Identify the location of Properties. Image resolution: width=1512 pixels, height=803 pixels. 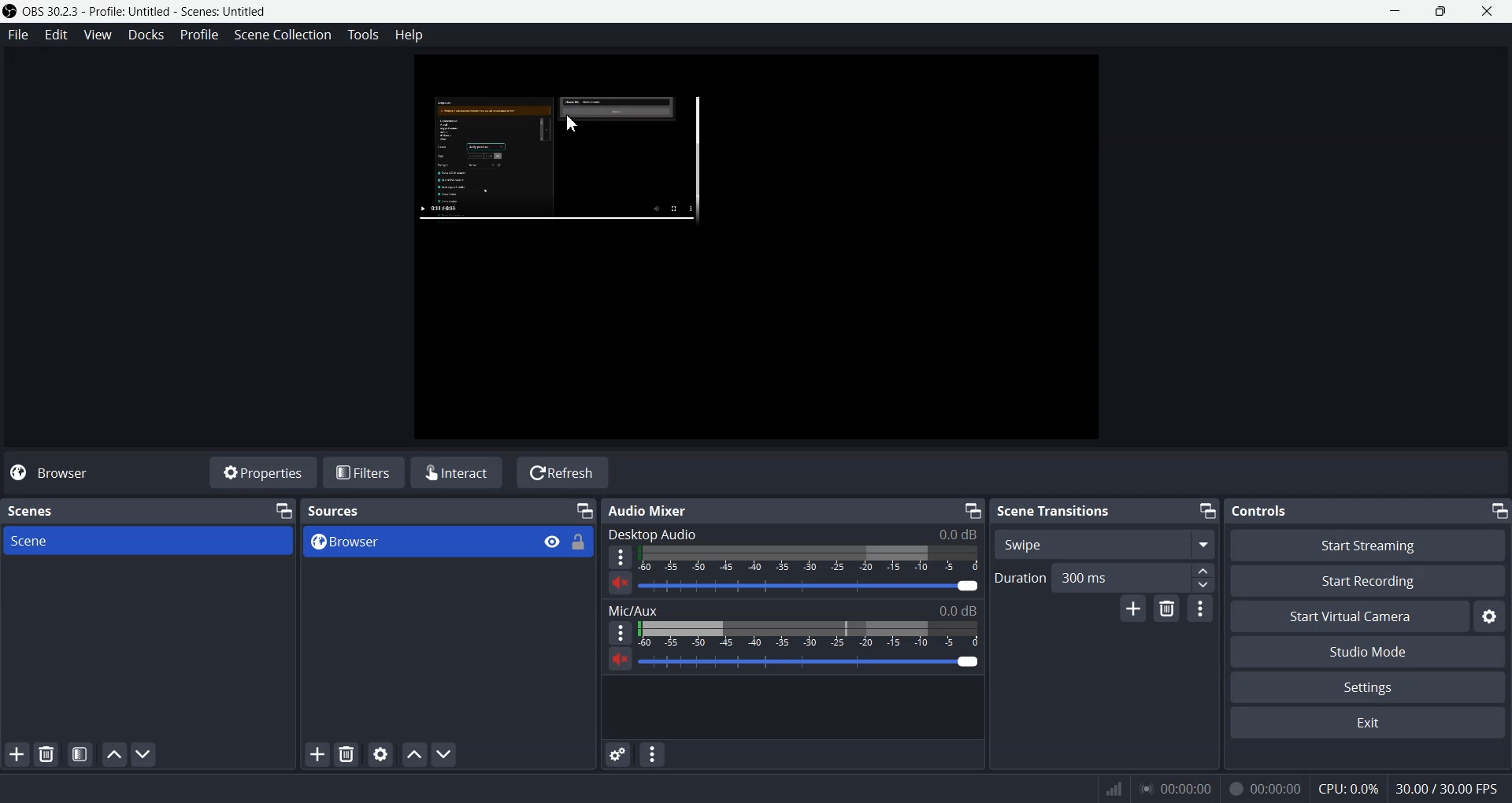
(261, 472).